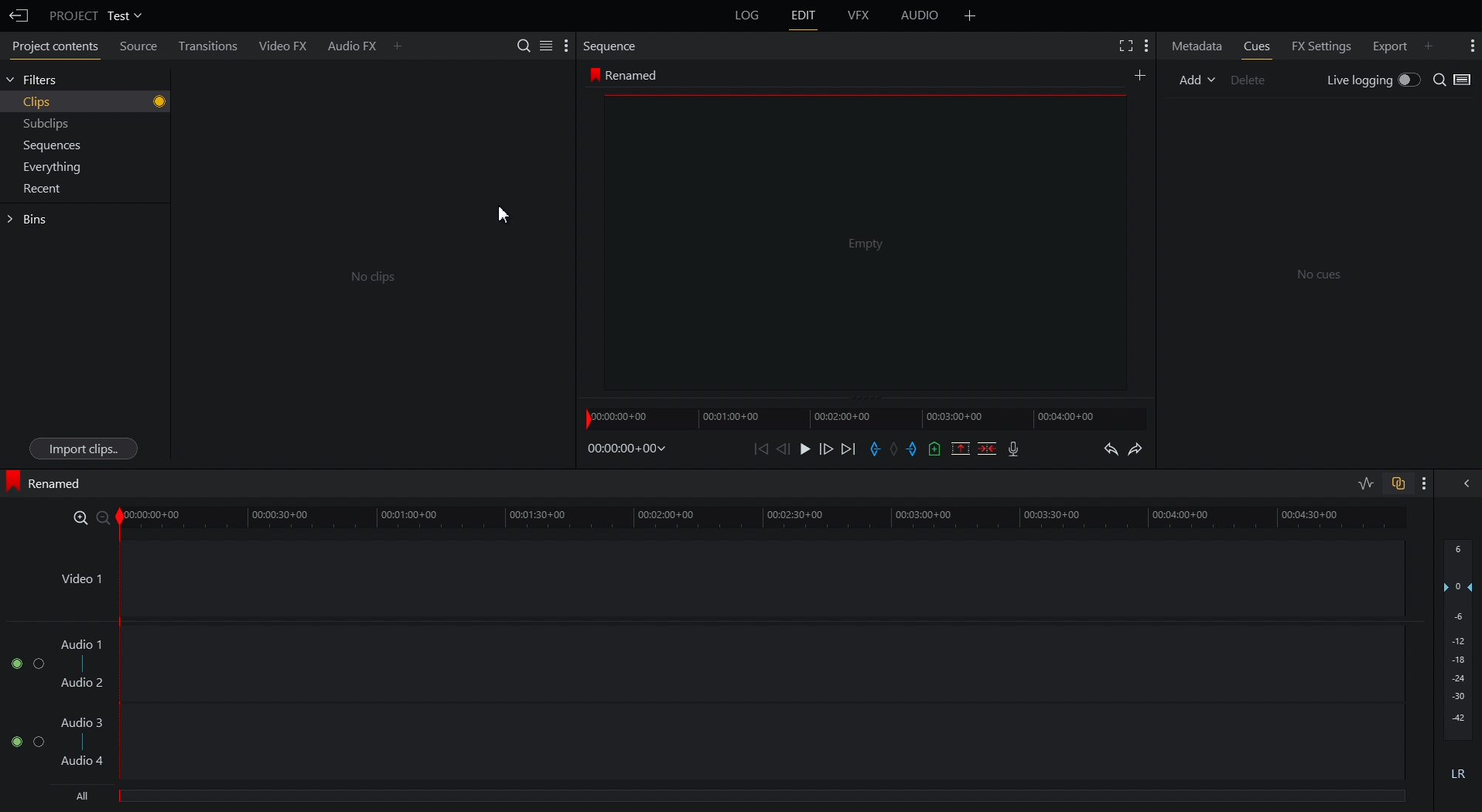 This screenshot has height=812, width=1482. What do you see at coordinates (26, 661) in the screenshot?
I see `Audio Channel 1` at bounding box center [26, 661].